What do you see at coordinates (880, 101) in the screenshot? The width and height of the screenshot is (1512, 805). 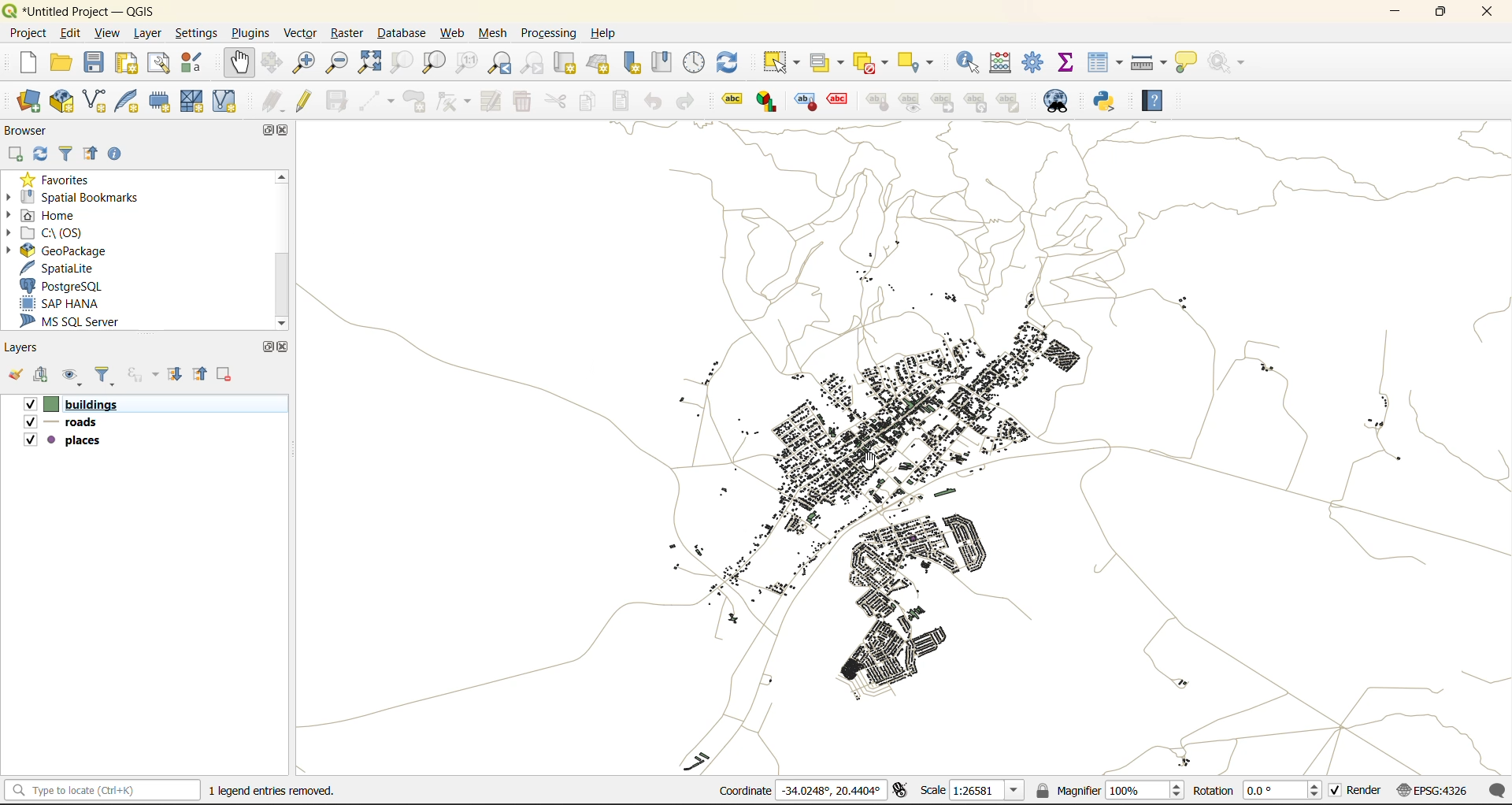 I see `style` at bounding box center [880, 101].